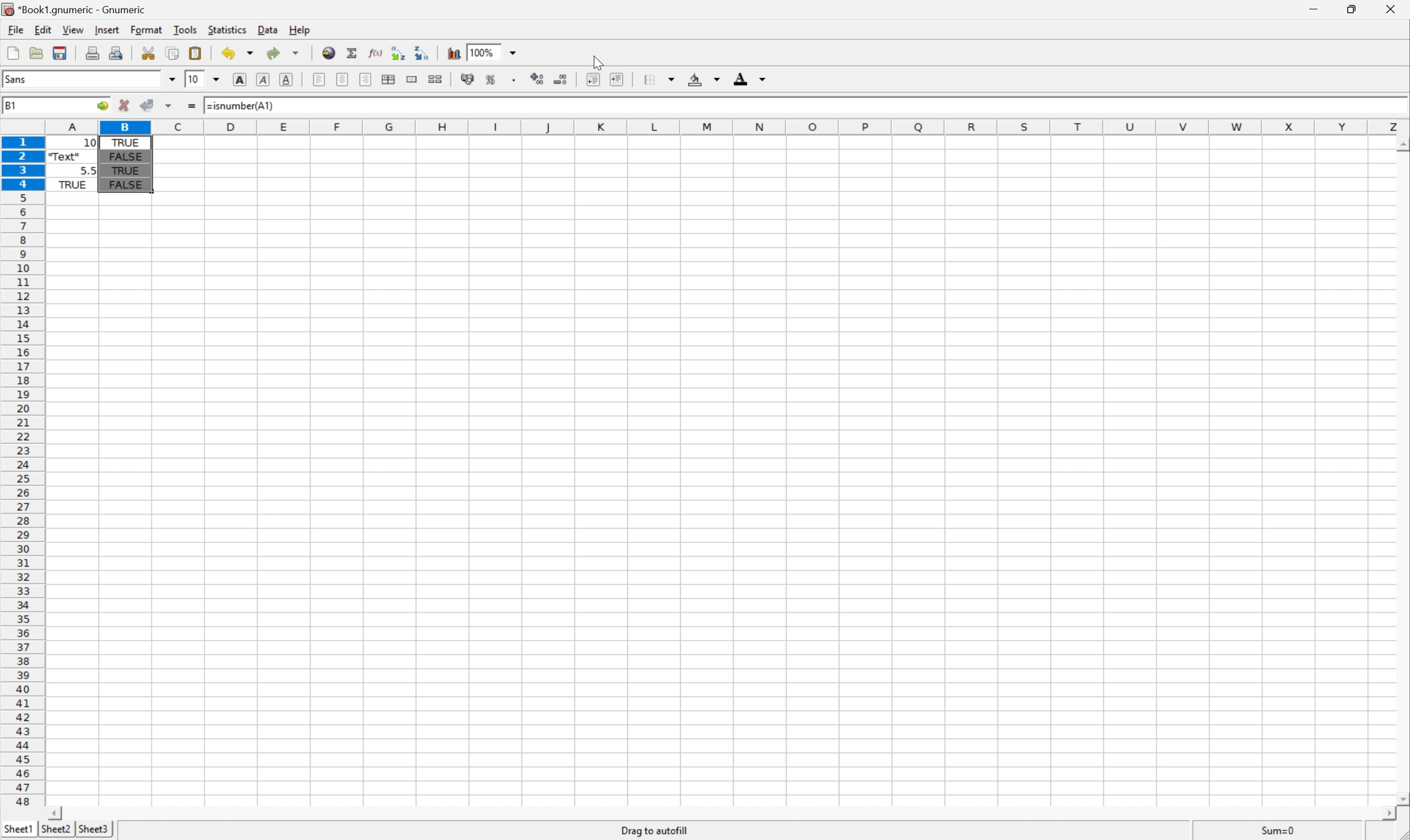  What do you see at coordinates (186, 29) in the screenshot?
I see `Tools` at bounding box center [186, 29].